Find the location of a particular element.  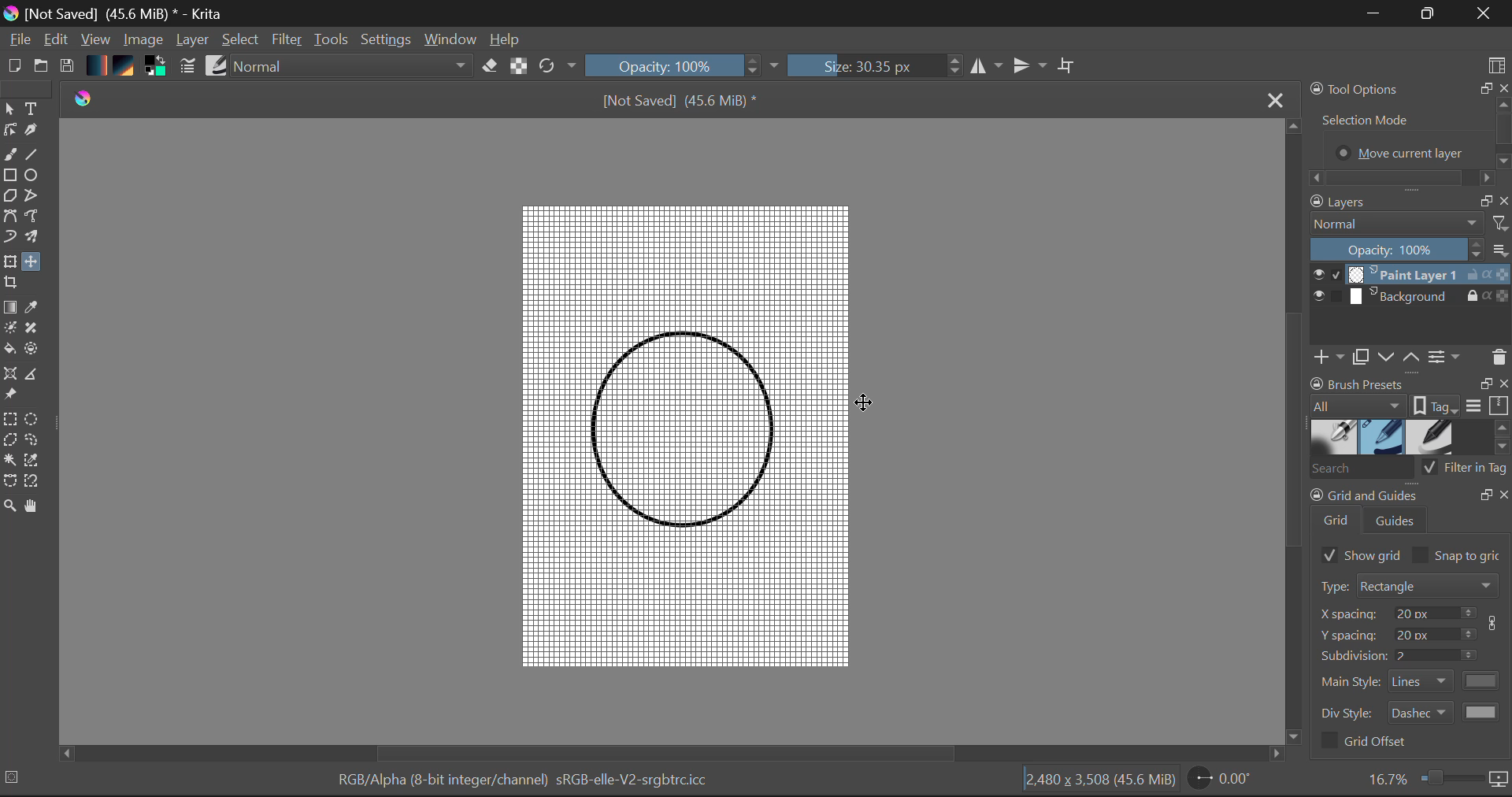

Vertical Mirror Flip is located at coordinates (988, 66).